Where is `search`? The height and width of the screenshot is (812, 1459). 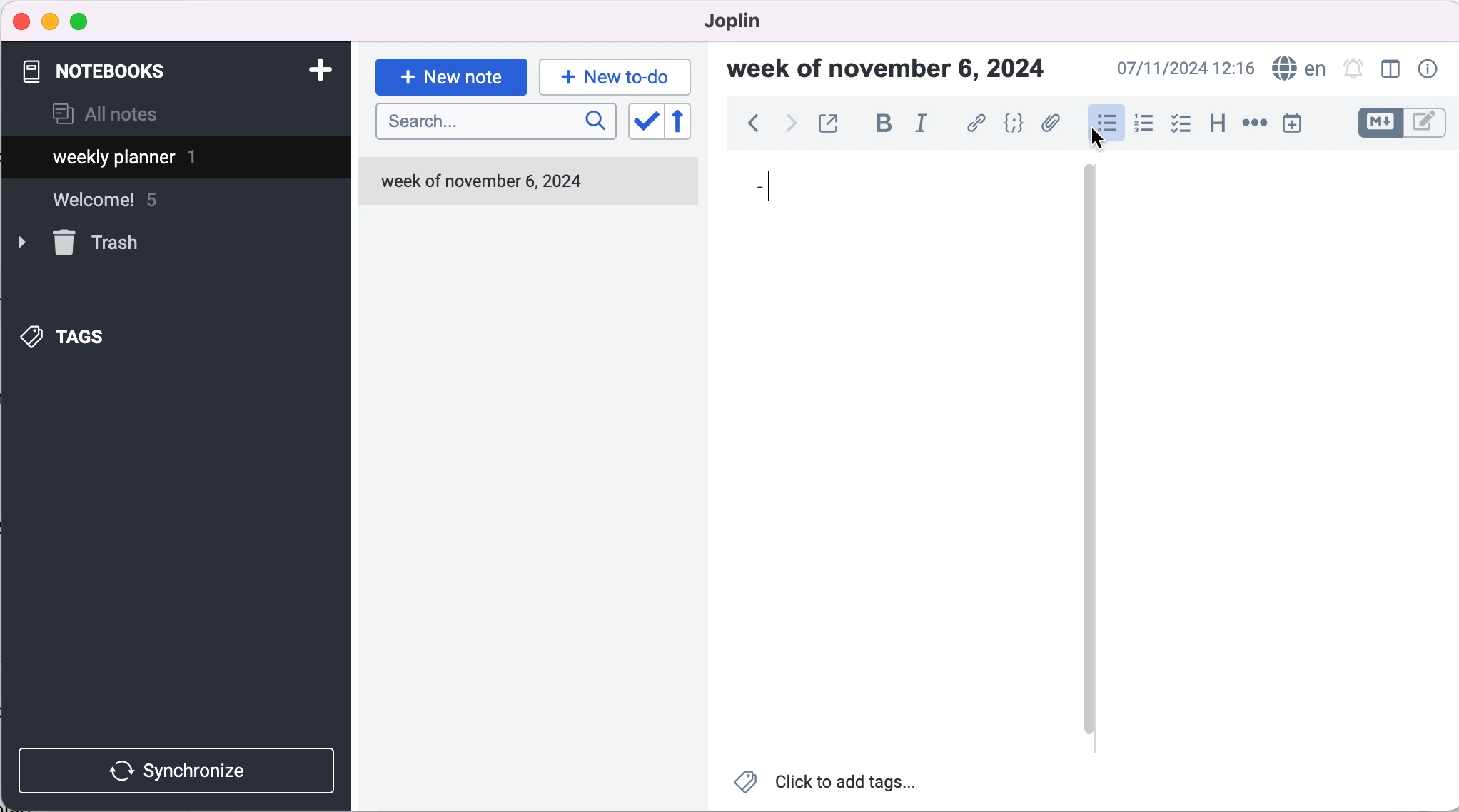
search is located at coordinates (495, 122).